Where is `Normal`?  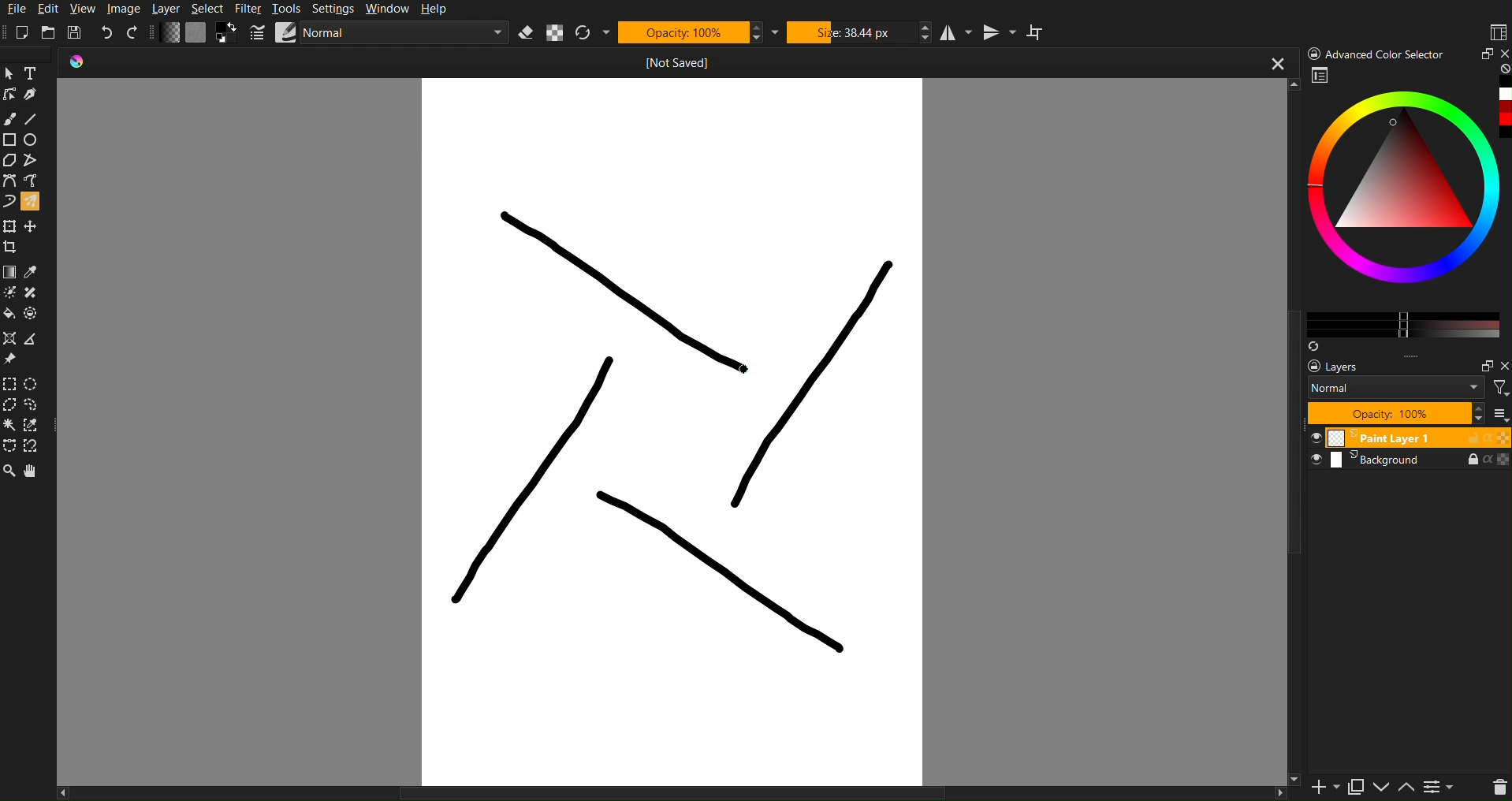
Normal is located at coordinates (1396, 387).